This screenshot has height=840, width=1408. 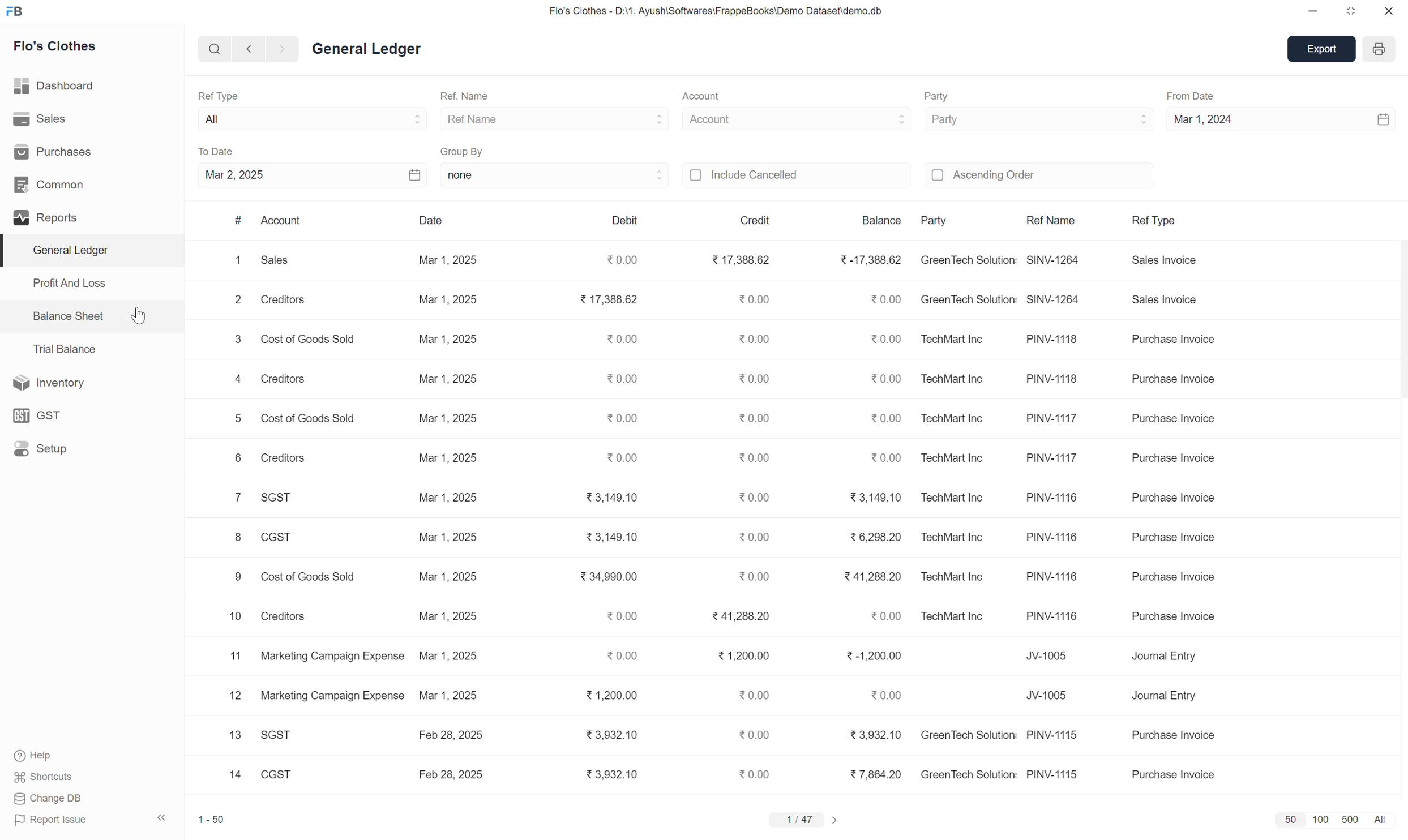 I want to click on 3,932.10, so click(x=604, y=734).